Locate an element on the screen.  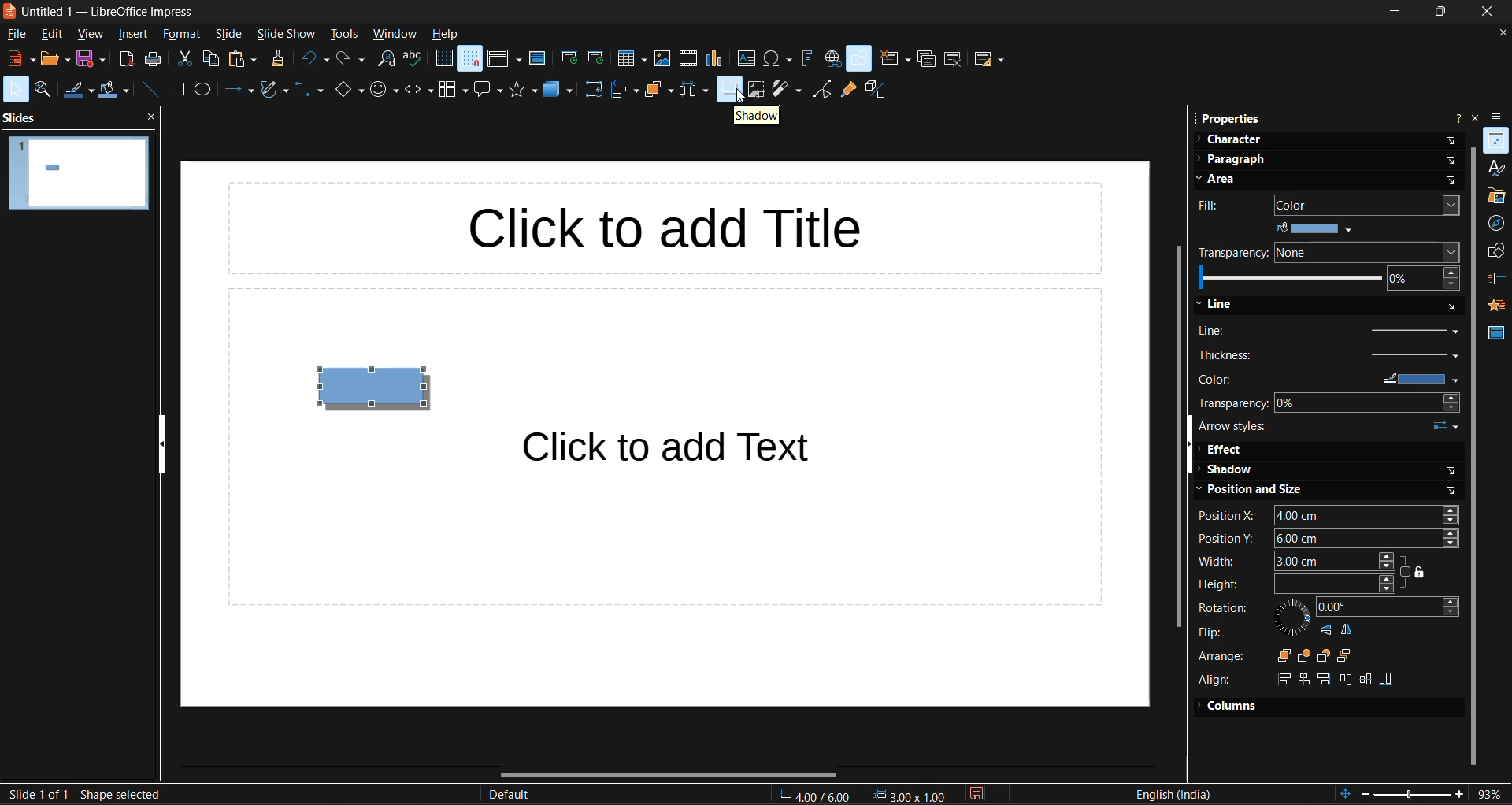
edit is located at coordinates (52, 35).